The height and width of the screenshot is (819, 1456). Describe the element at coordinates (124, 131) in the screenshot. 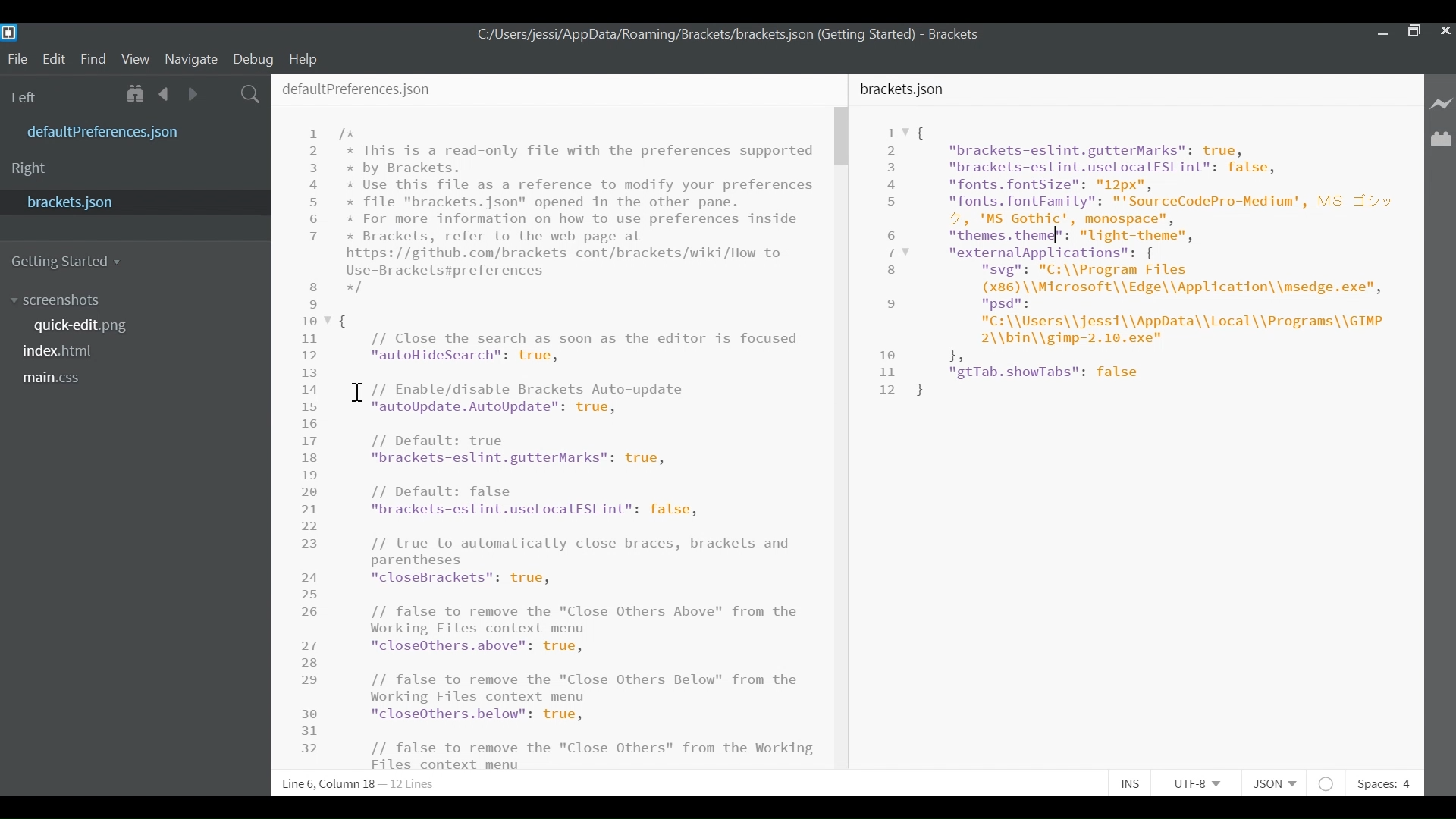

I see `defaultPreferences.json` at that location.